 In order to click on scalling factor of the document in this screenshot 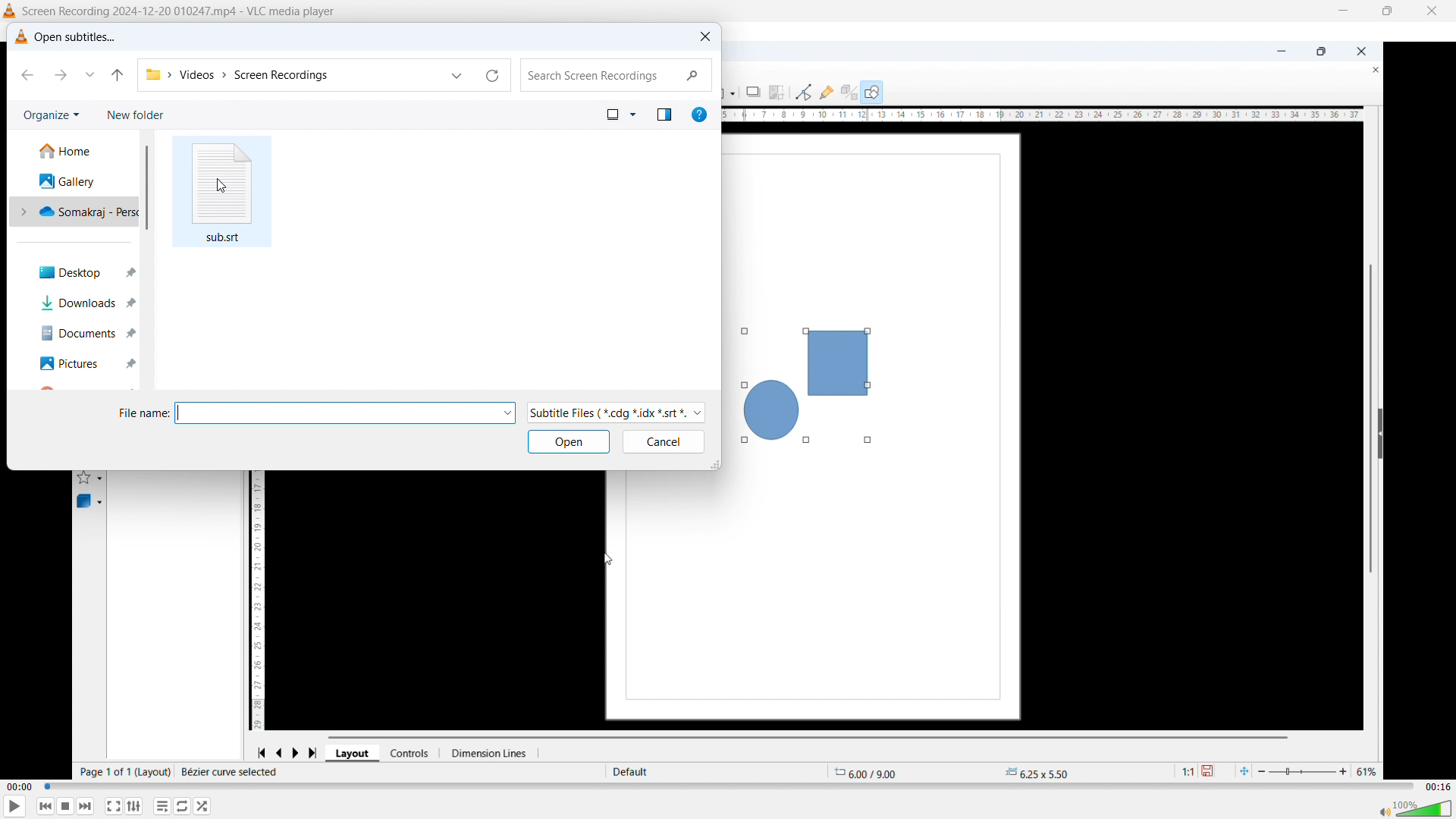, I will do `click(1184, 773)`.